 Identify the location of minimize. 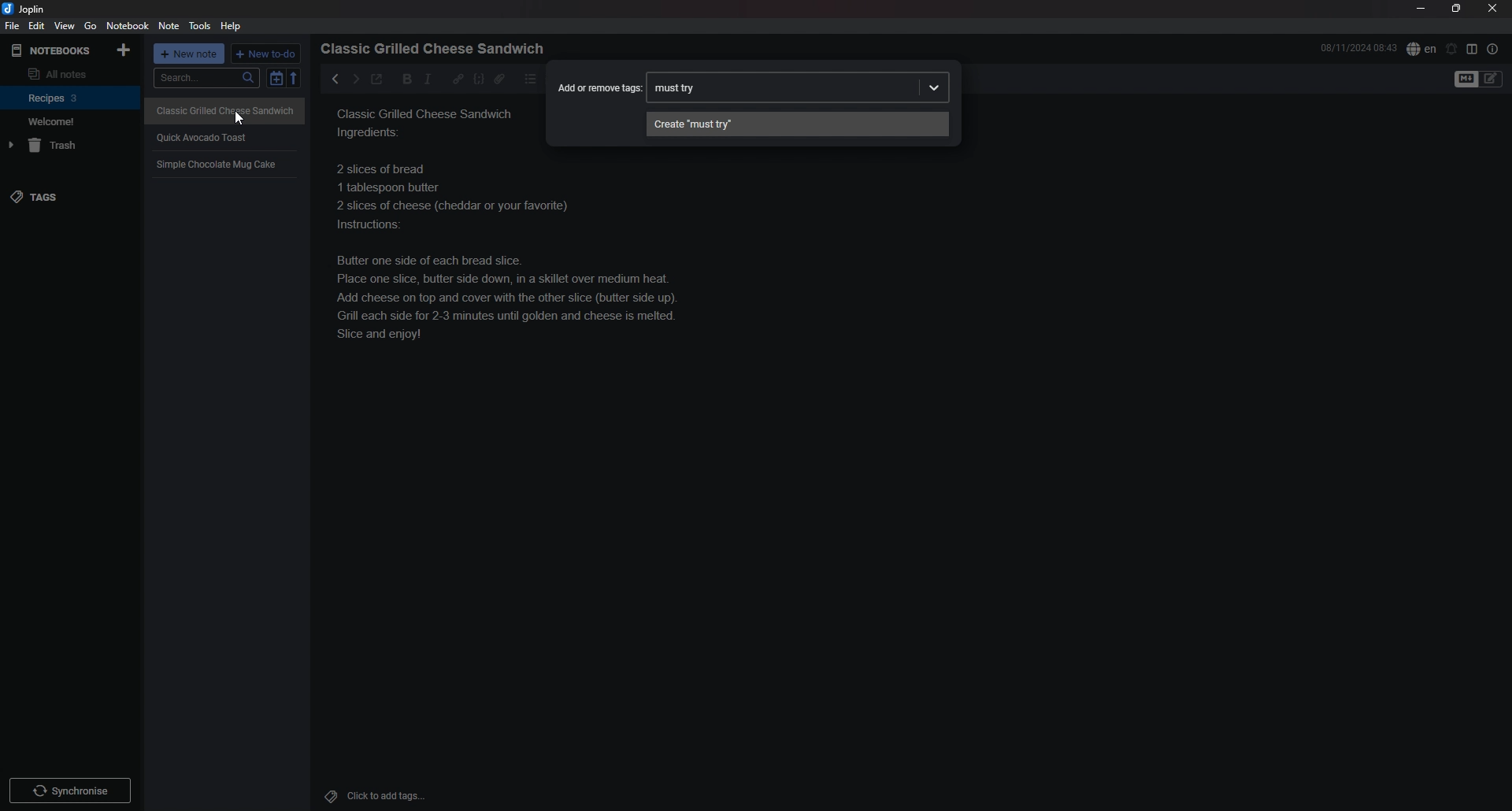
(1421, 9).